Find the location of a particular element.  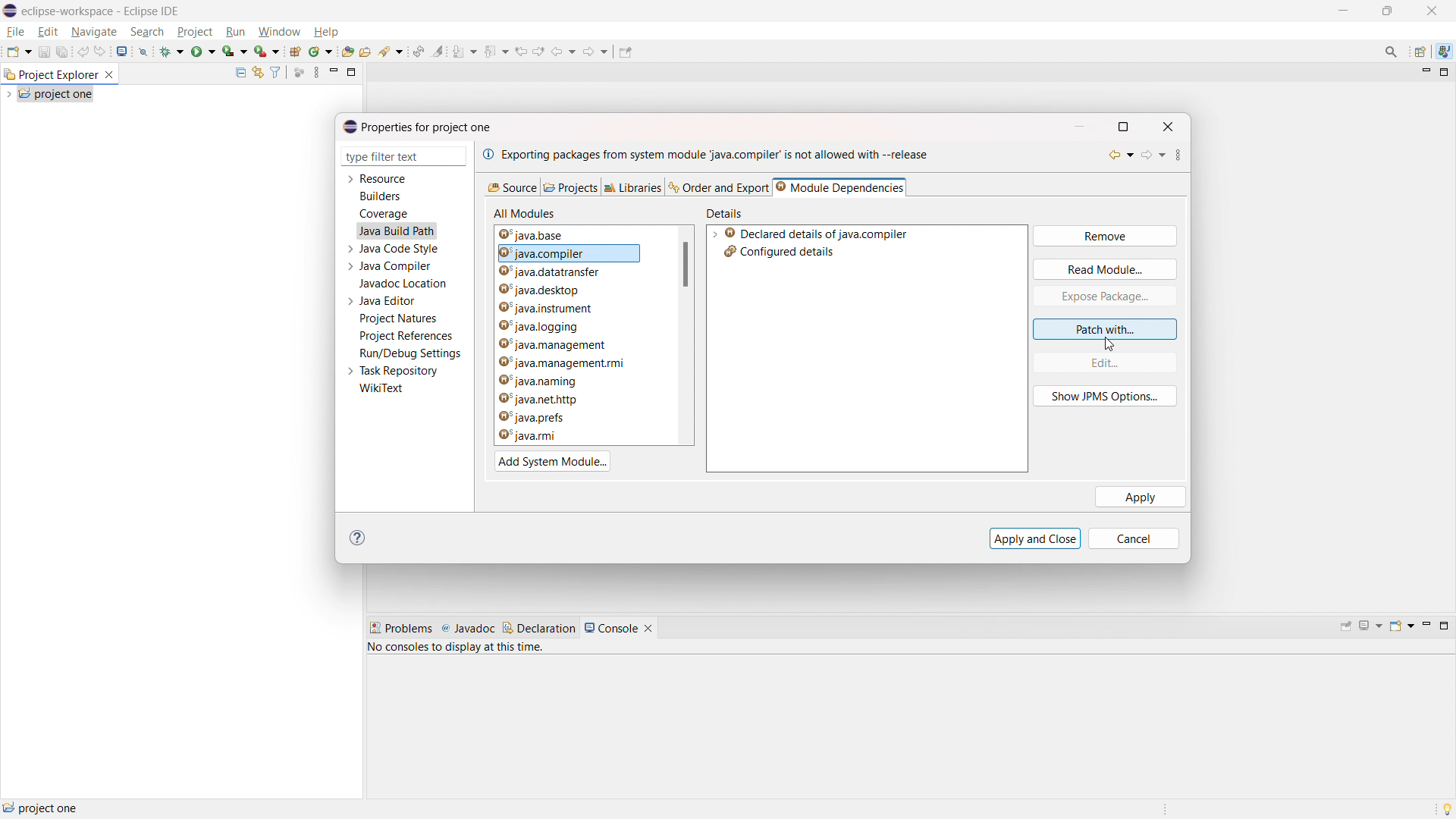

tip of the day is located at coordinates (1447, 808).